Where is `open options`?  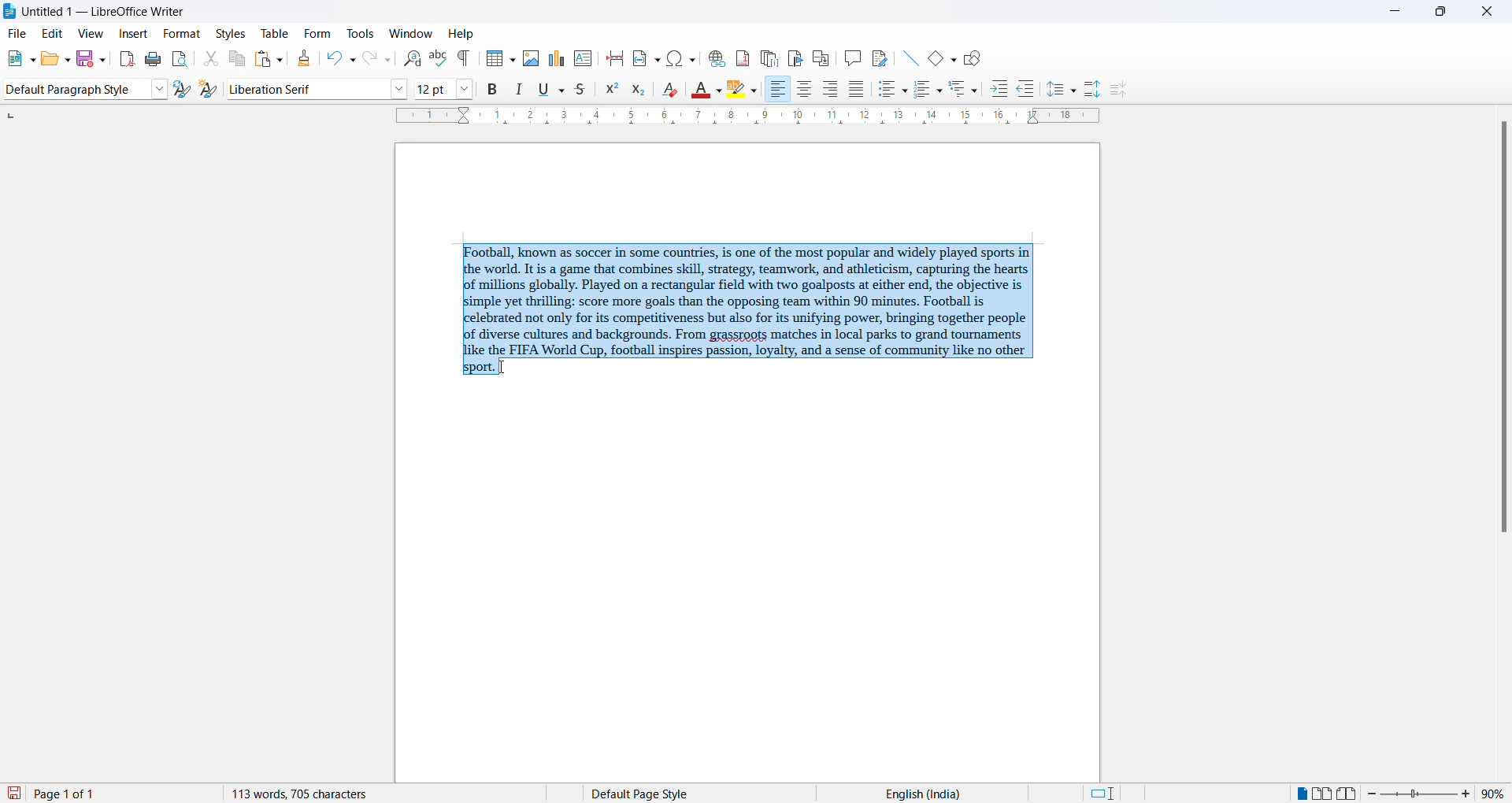 open options is located at coordinates (67, 60).